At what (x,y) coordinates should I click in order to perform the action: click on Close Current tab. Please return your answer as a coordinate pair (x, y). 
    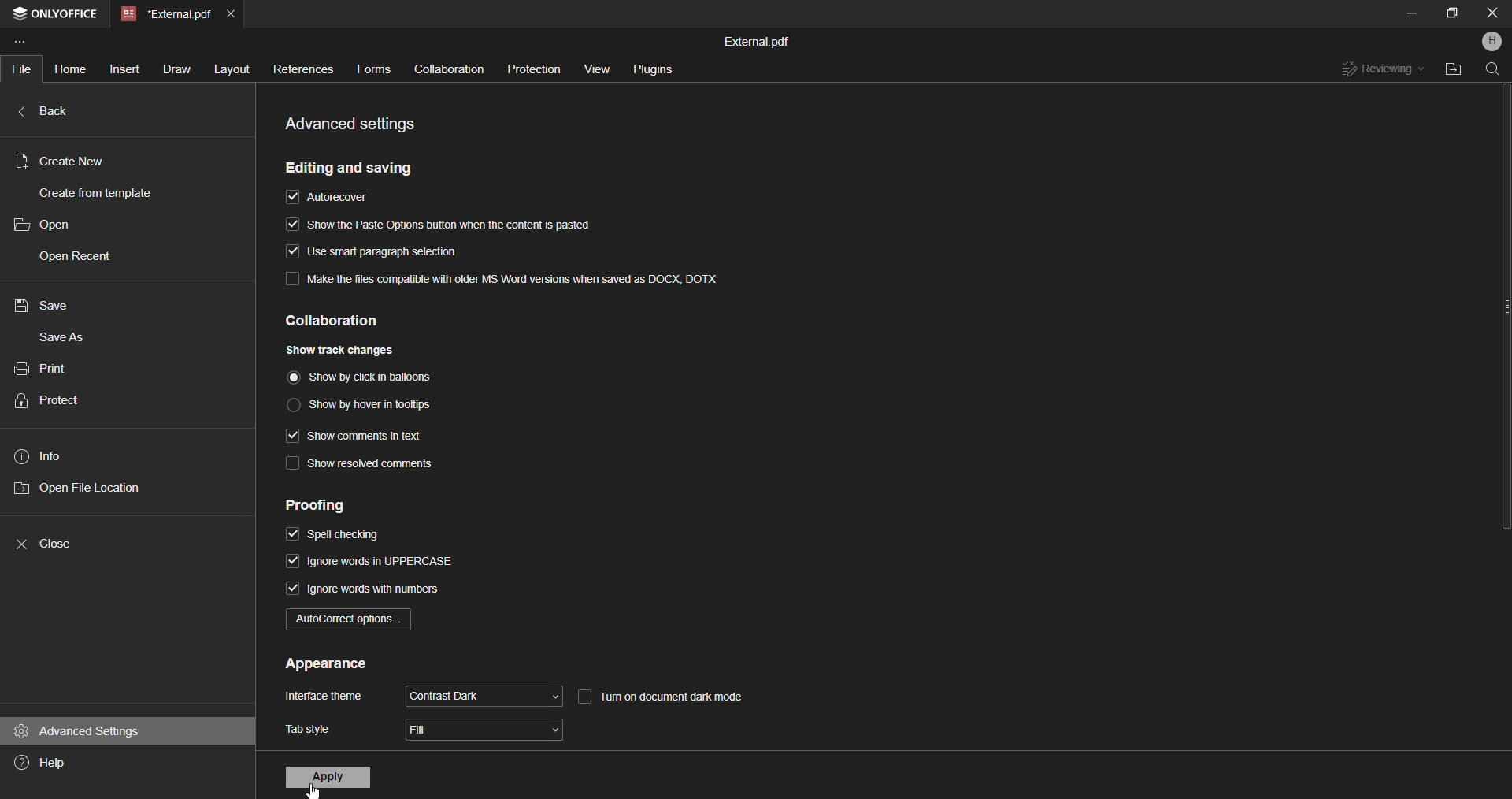
    Looking at the image, I should click on (232, 12).